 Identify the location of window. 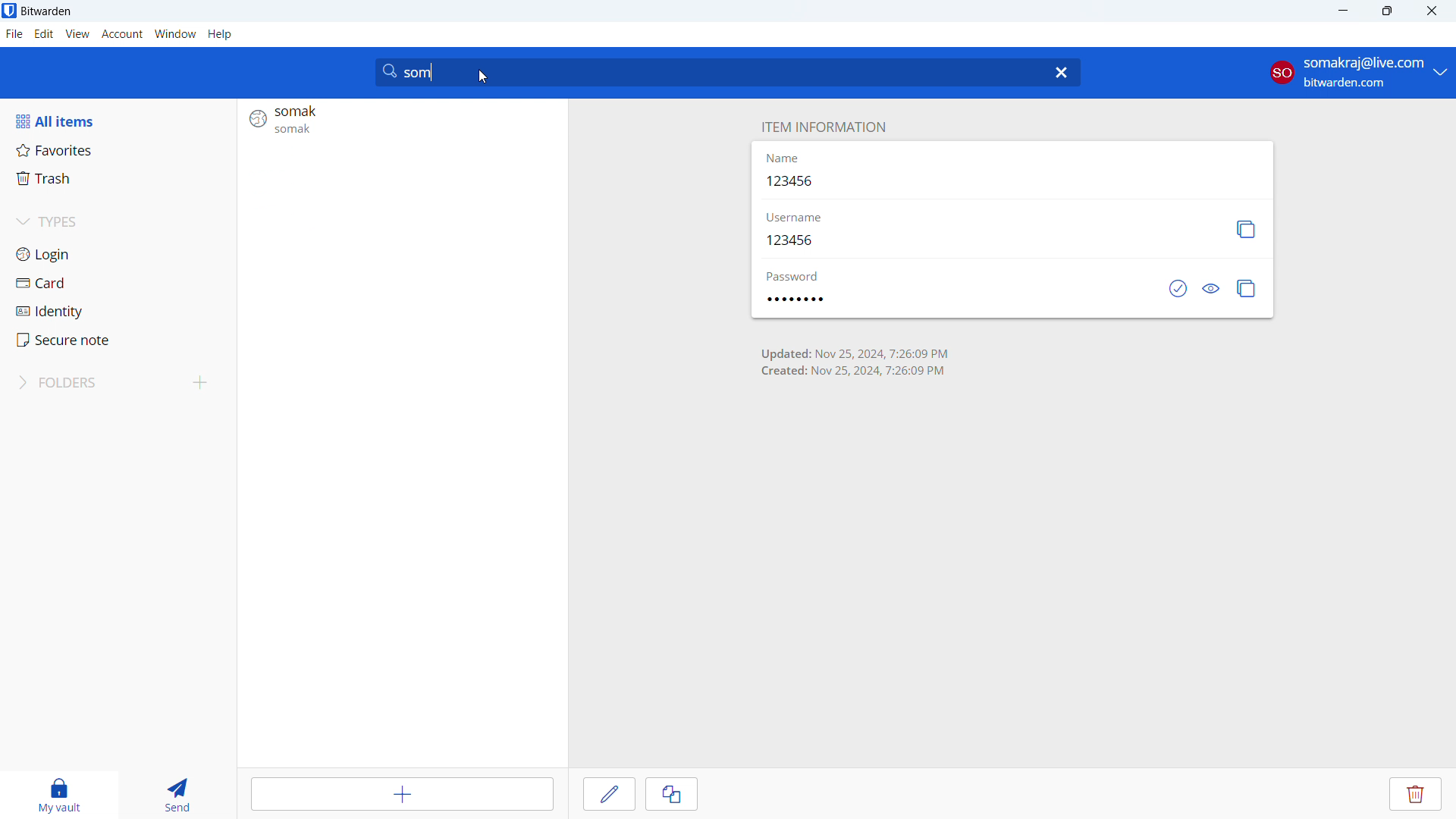
(176, 34).